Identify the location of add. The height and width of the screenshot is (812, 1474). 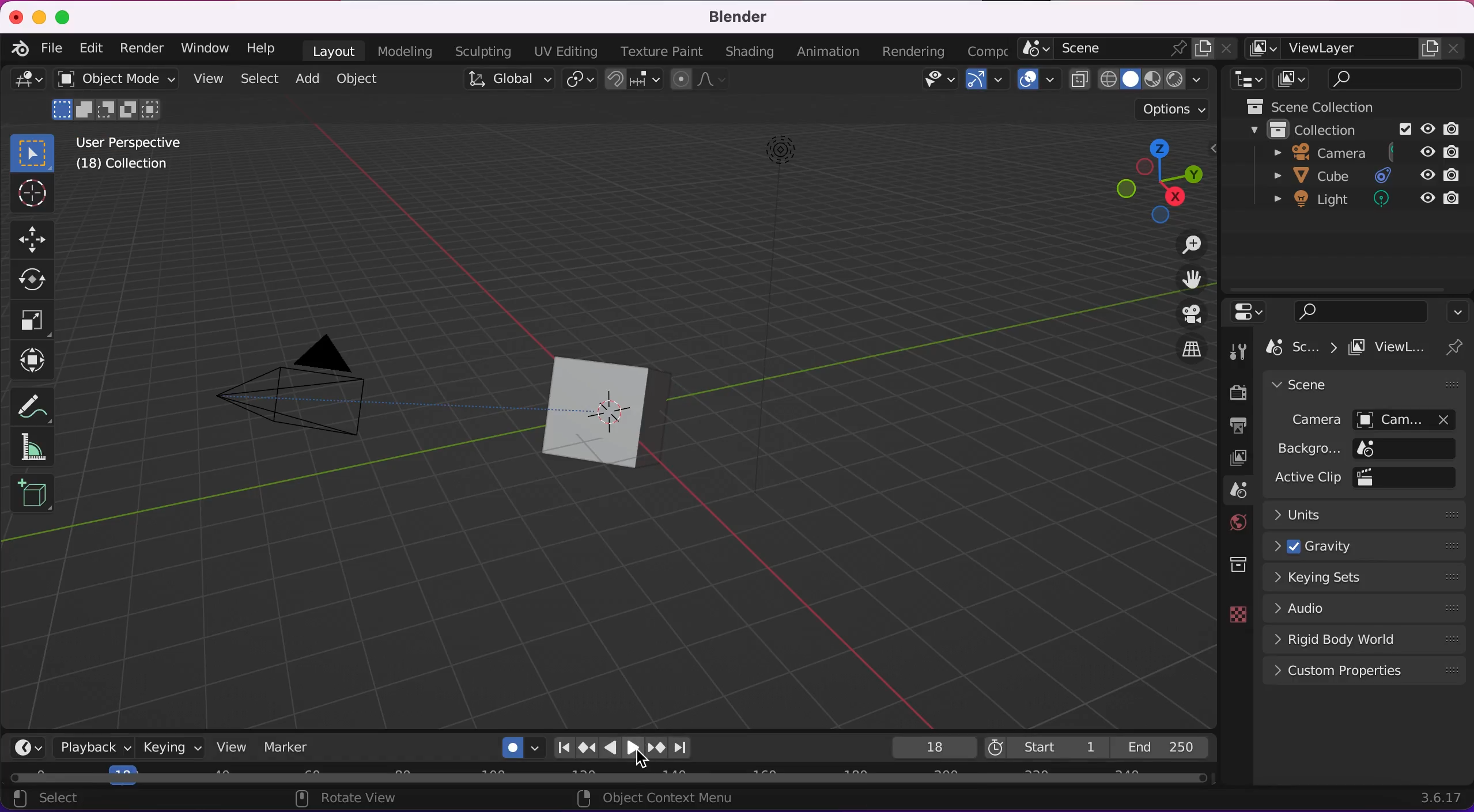
(304, 79).